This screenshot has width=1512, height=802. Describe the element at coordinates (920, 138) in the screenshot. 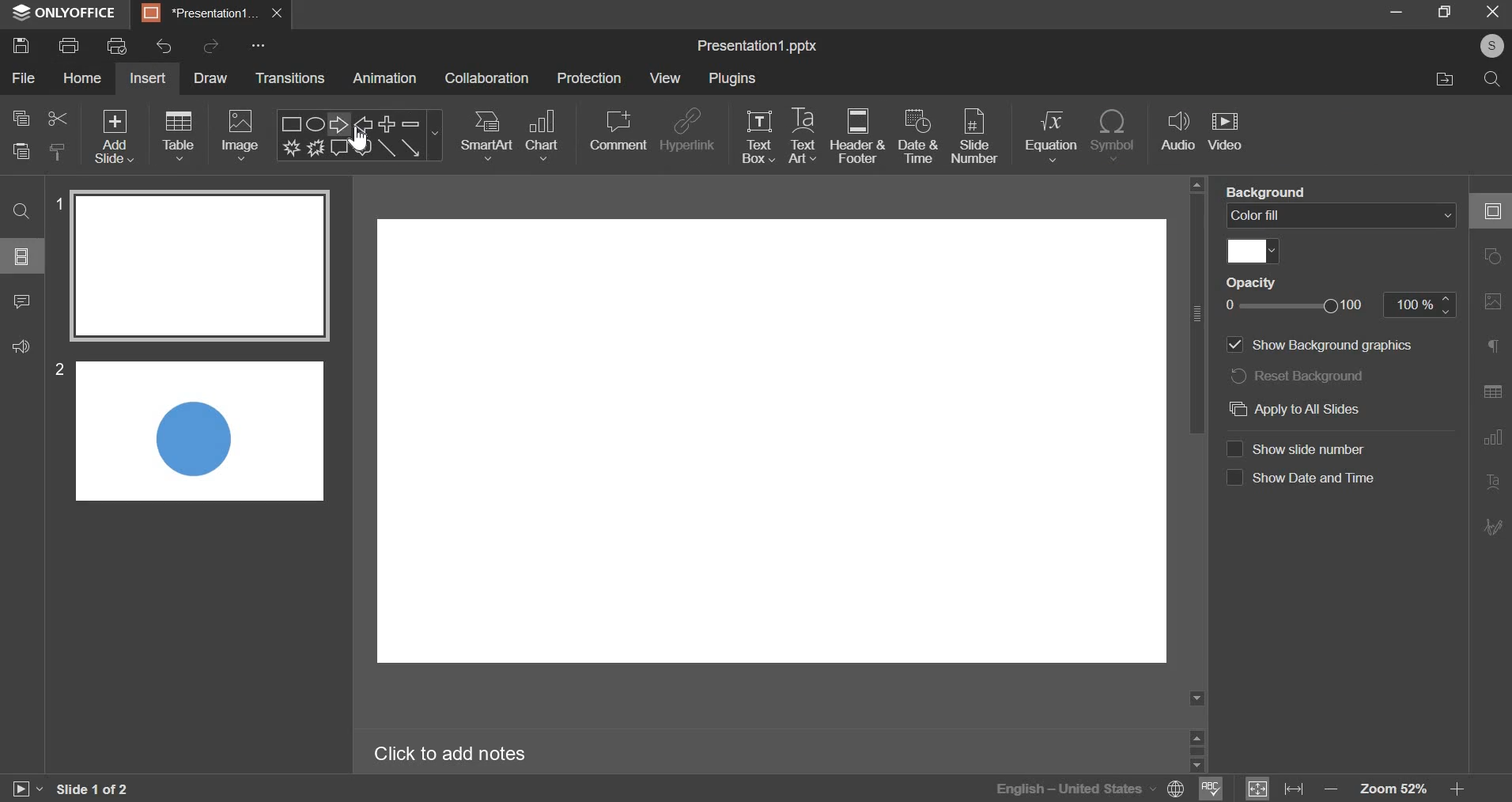

I see `date & time` at that location.